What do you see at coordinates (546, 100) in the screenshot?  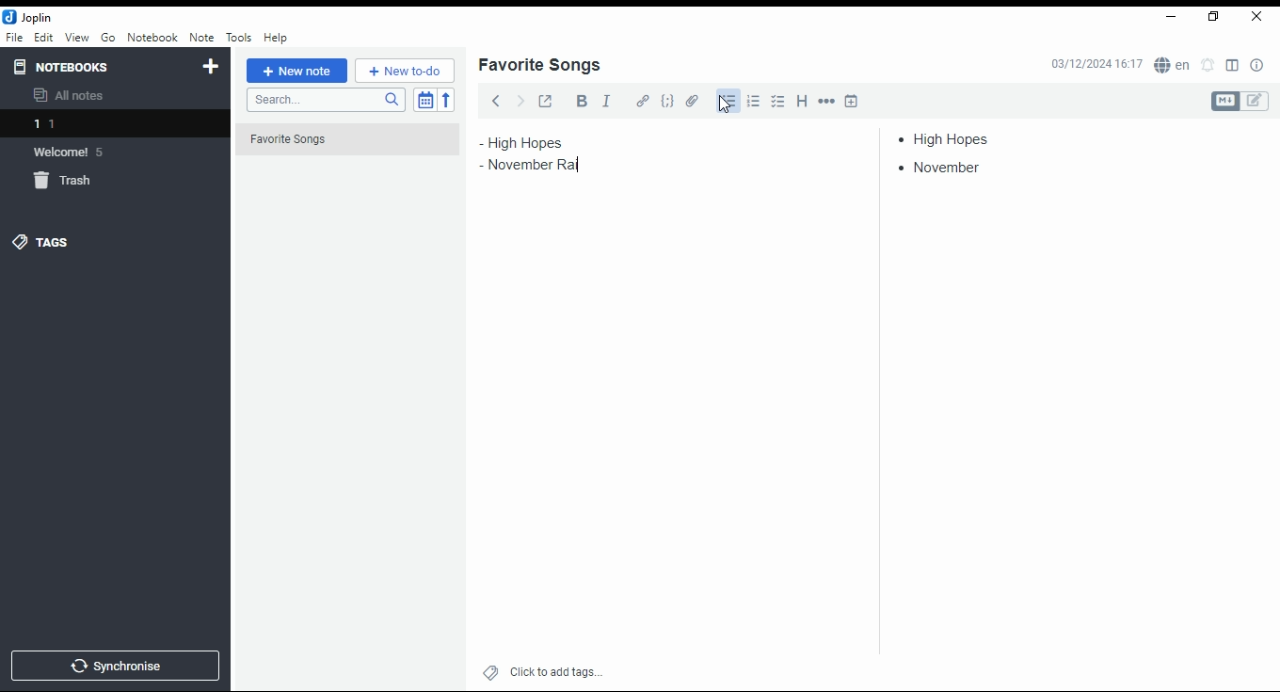 I see `toggle external editing` at bounding box center [546, 100].